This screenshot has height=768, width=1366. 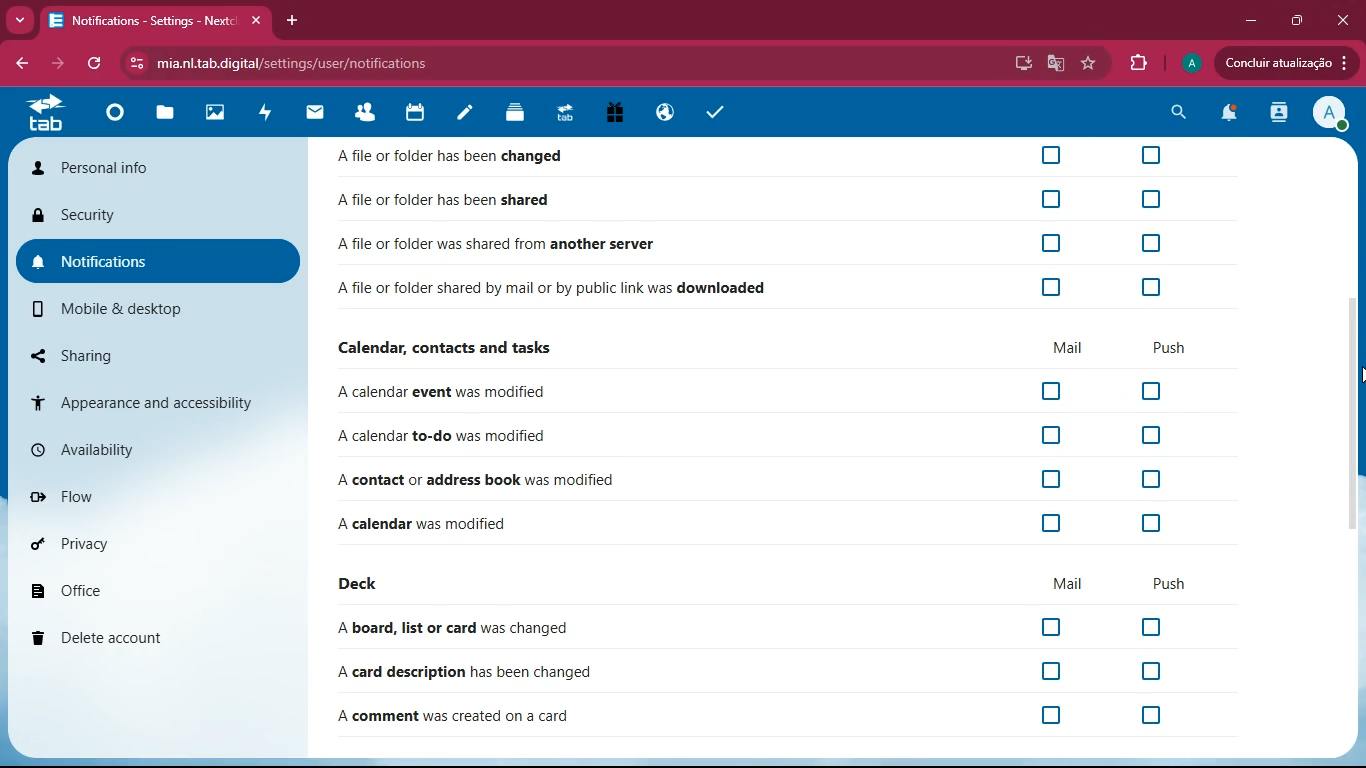 I want to click on profile, so click(x=1192, y=63).